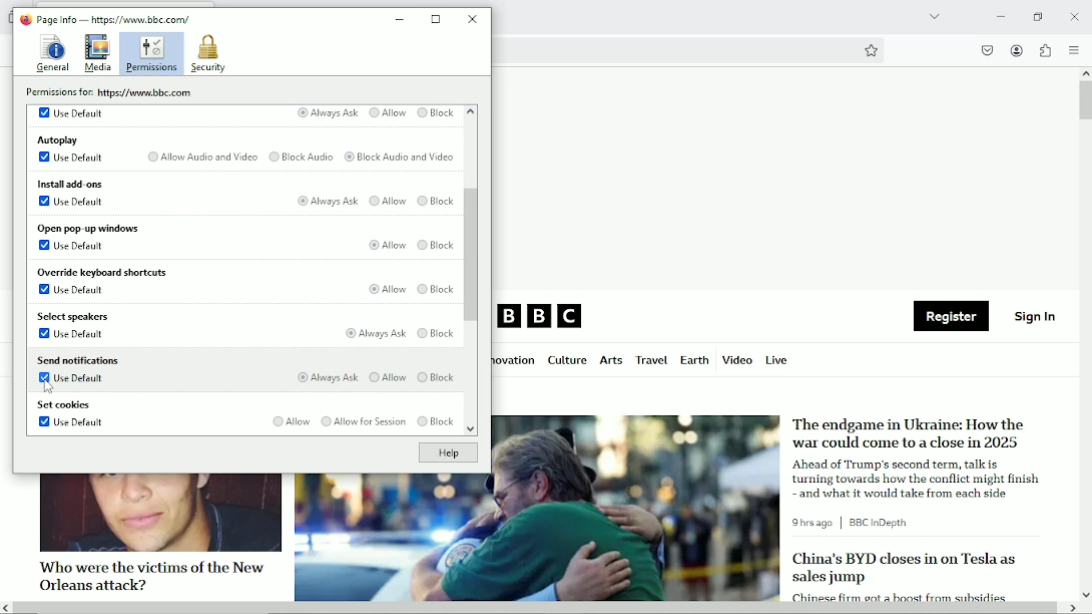  I want to click on Use default, so click(71, 112).